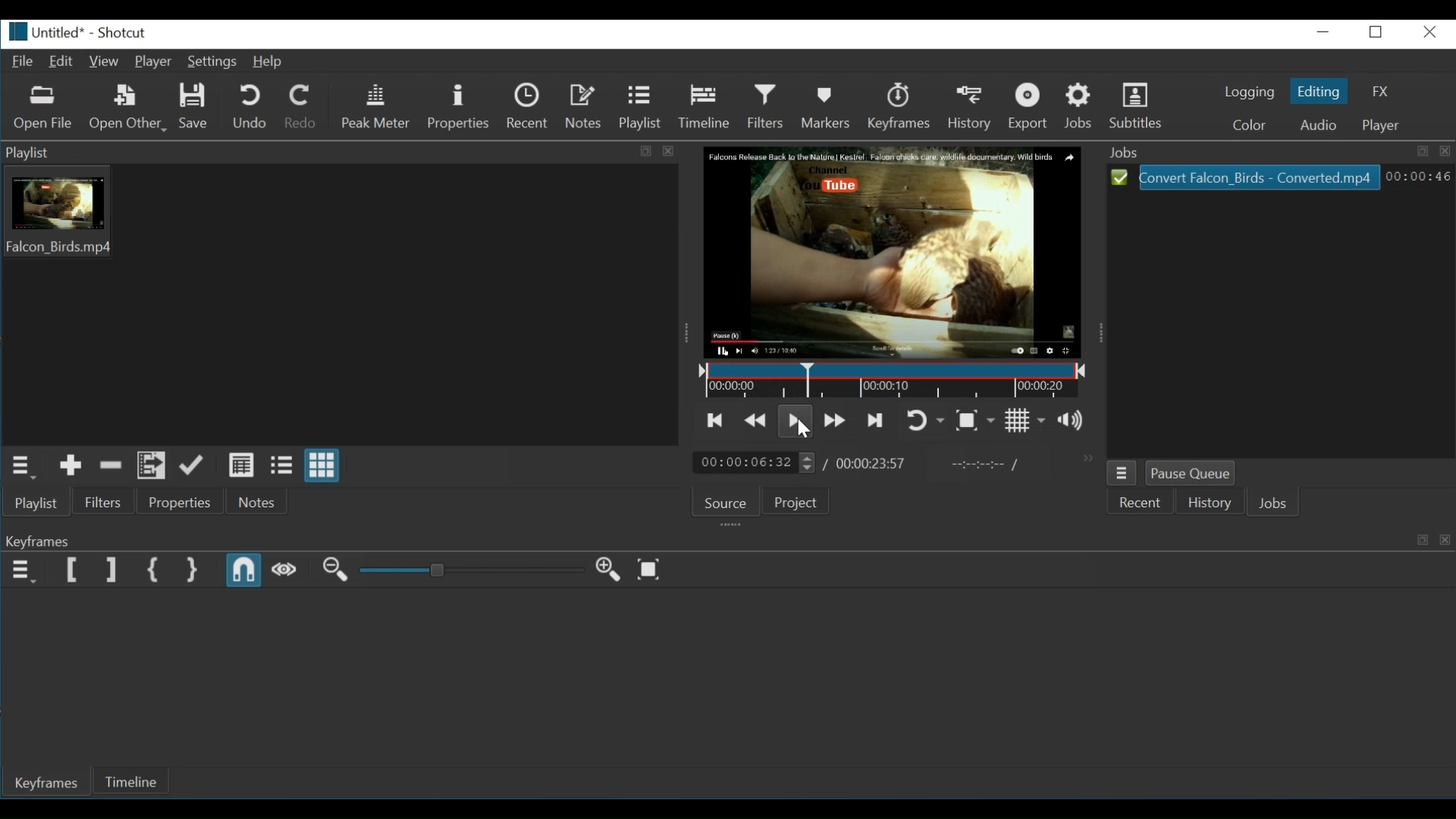  What do you see at coordinates (1250, 93) in the screenshot?
I see `Logging` at bounding box center [1250, 93].